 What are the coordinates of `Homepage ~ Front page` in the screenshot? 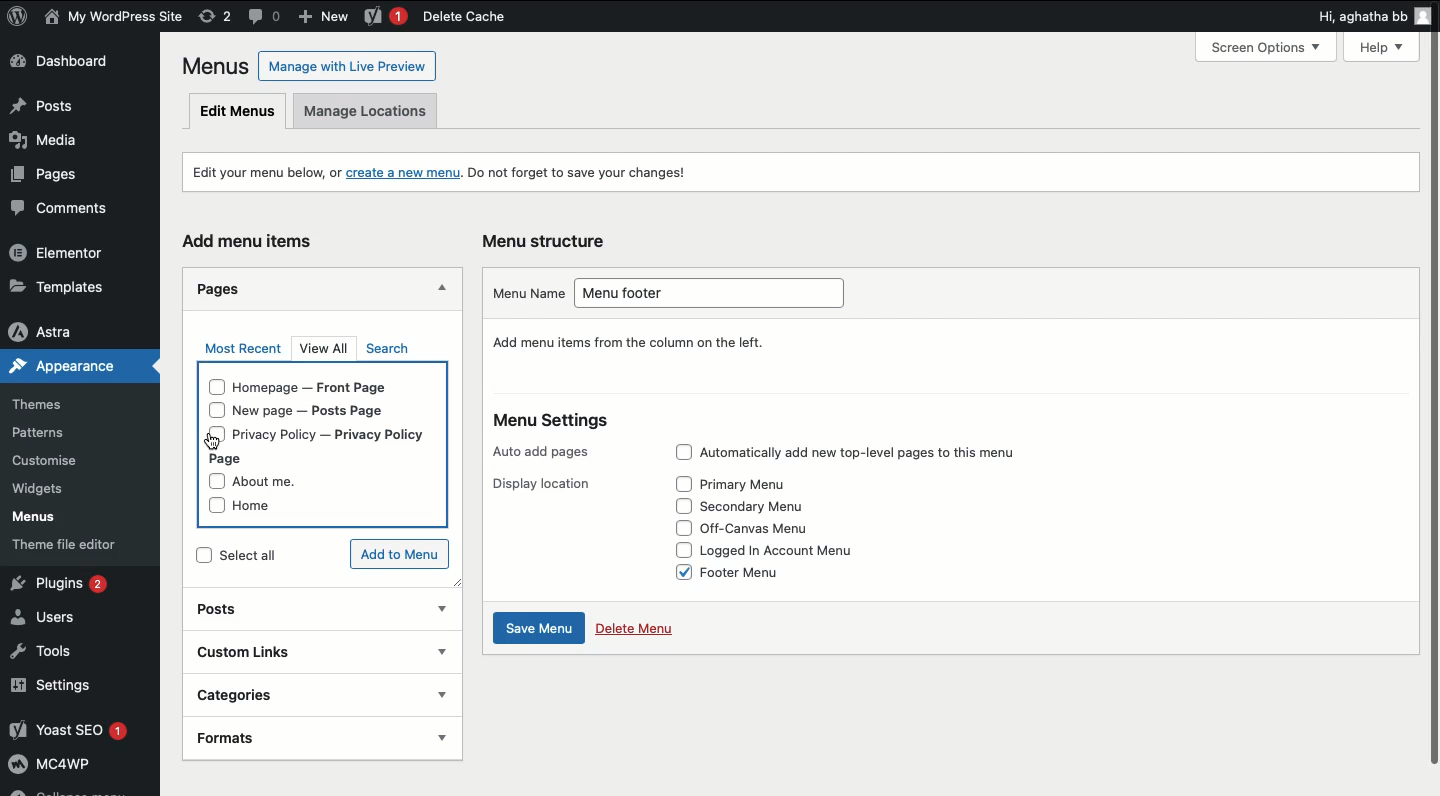 It's located at (324, 386).